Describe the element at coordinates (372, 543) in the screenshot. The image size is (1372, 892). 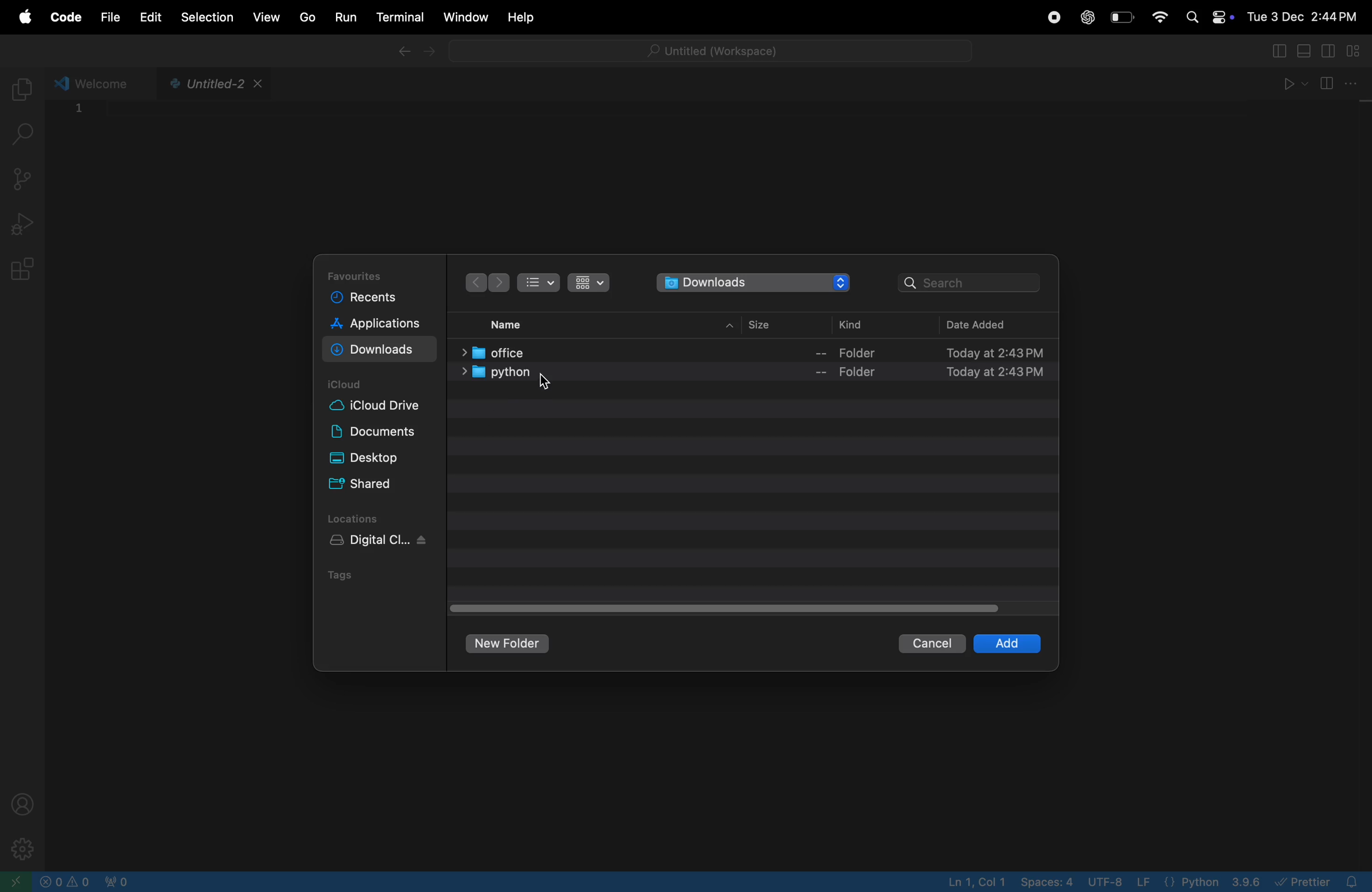
I see `digital clock` at that location.